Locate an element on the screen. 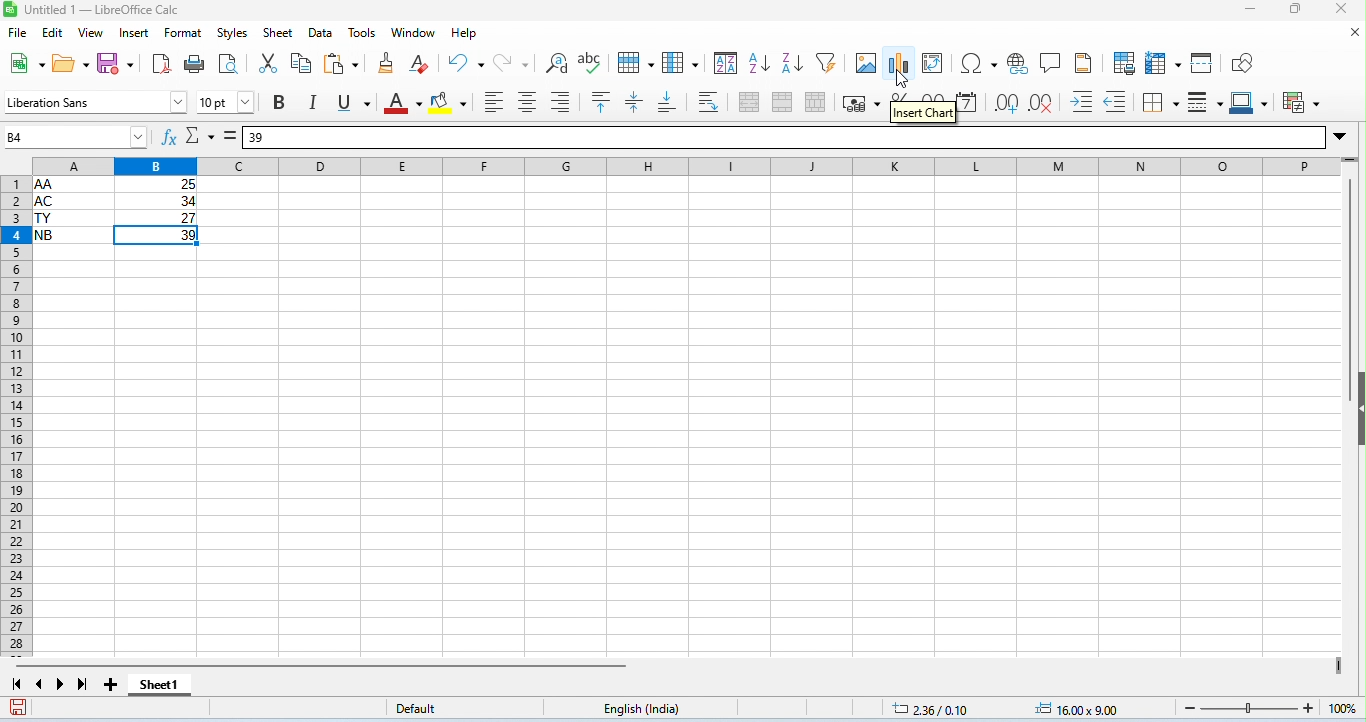  align to top is located at coordinates (600, 102).